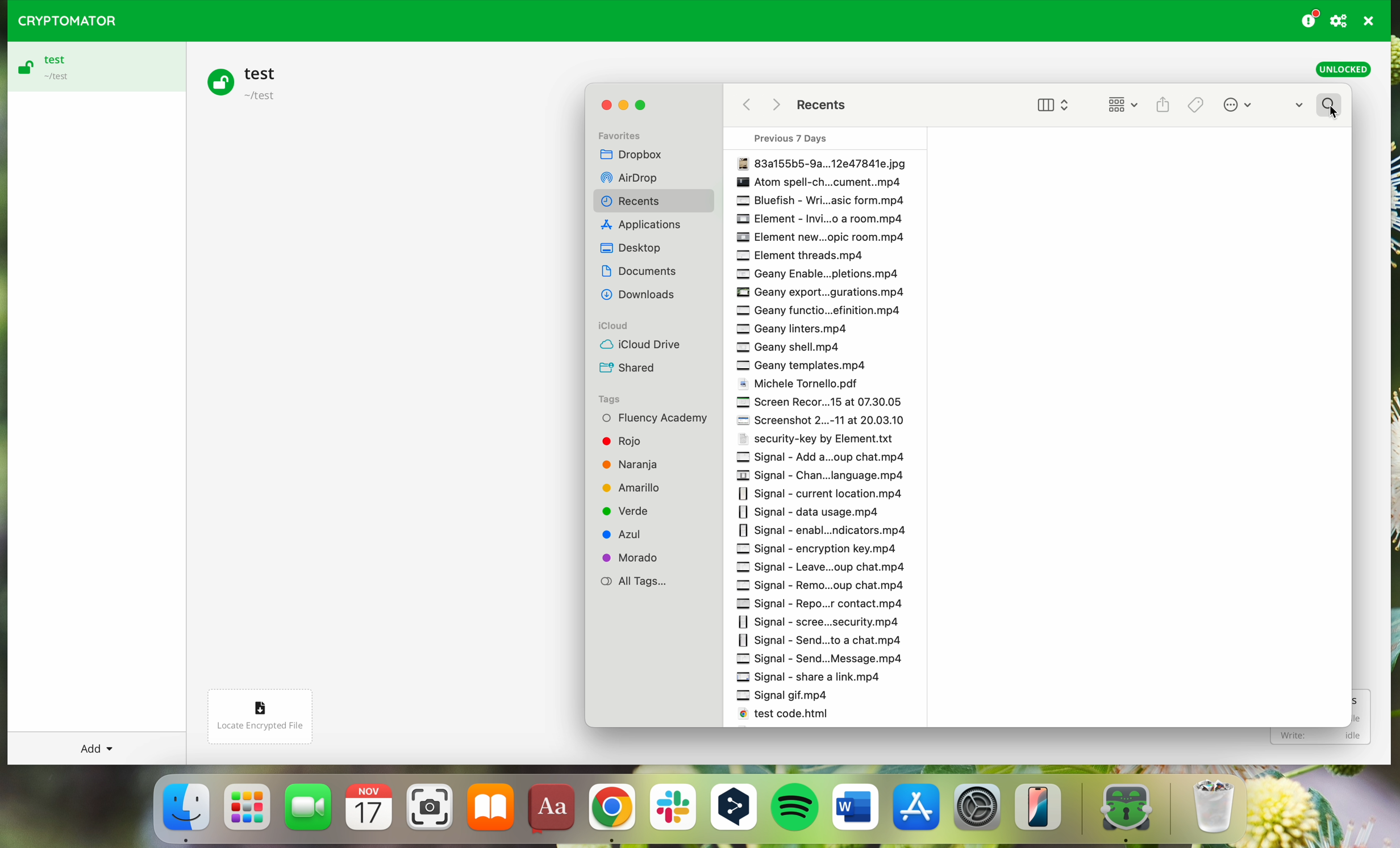 This screenshot has width=1400, height=848. I want to click on Security-key, so click(819, 441).